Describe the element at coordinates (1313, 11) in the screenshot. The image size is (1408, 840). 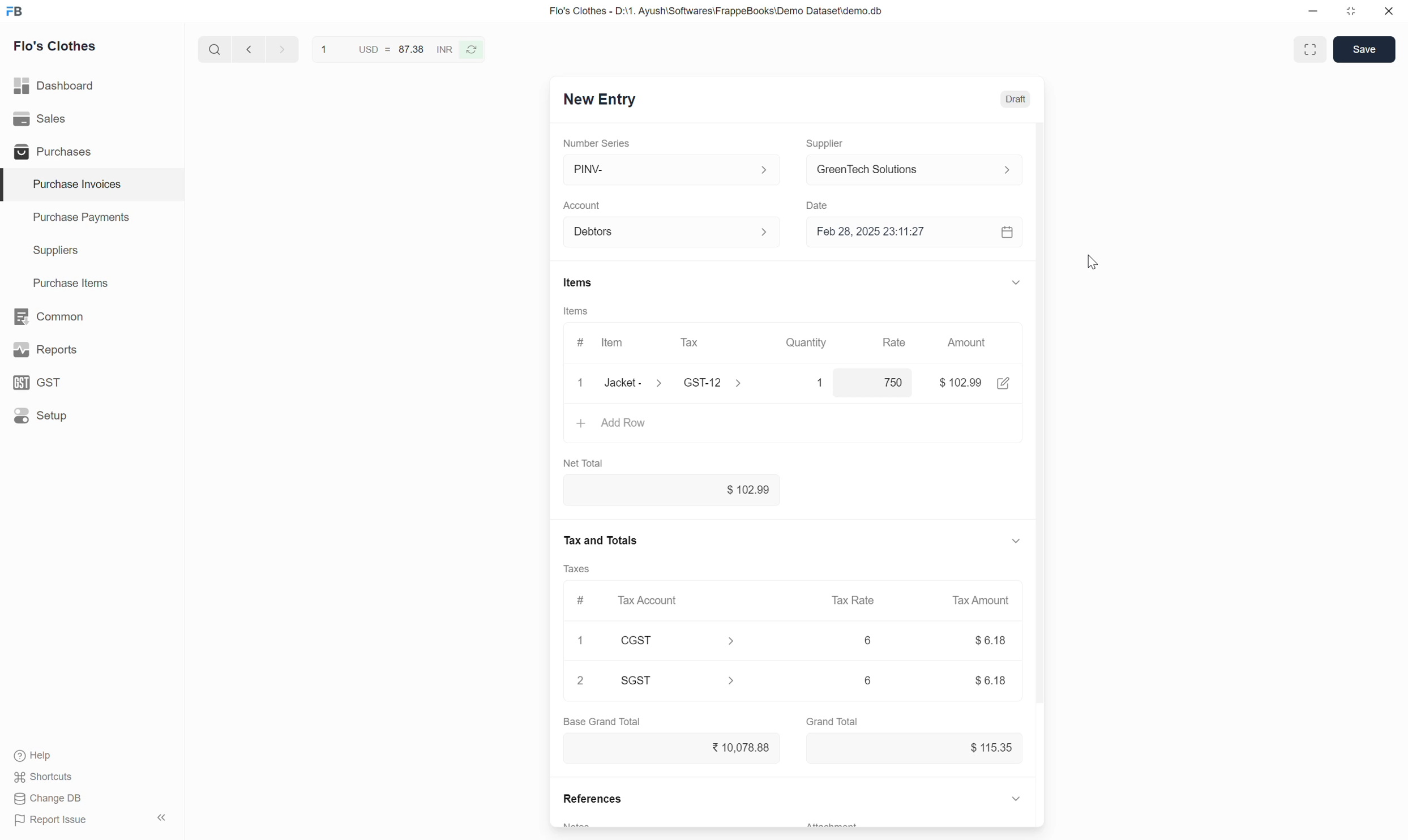
I see `Minimize` at that location.